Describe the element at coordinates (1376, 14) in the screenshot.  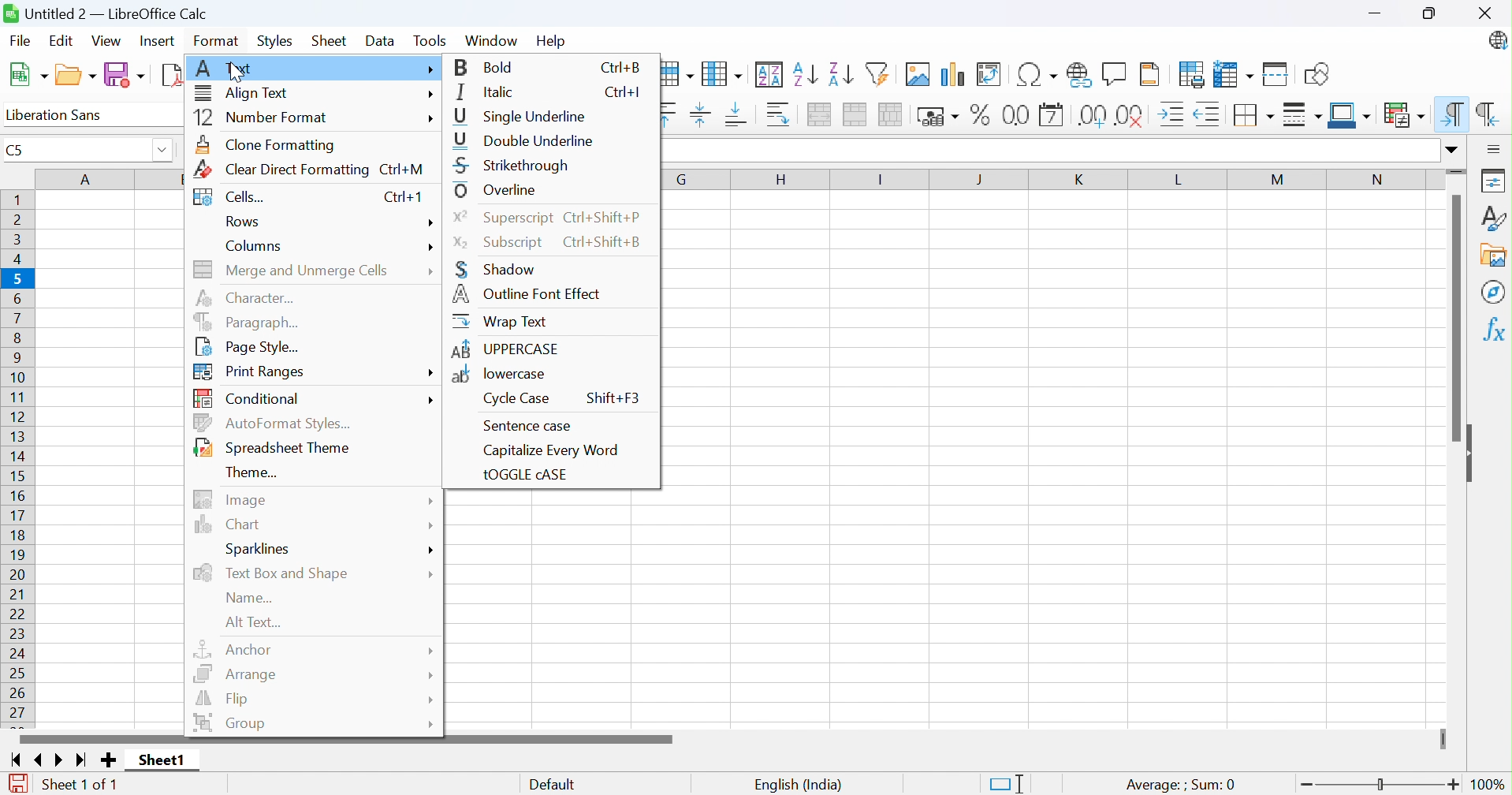
I see `Miniimize` at that location.